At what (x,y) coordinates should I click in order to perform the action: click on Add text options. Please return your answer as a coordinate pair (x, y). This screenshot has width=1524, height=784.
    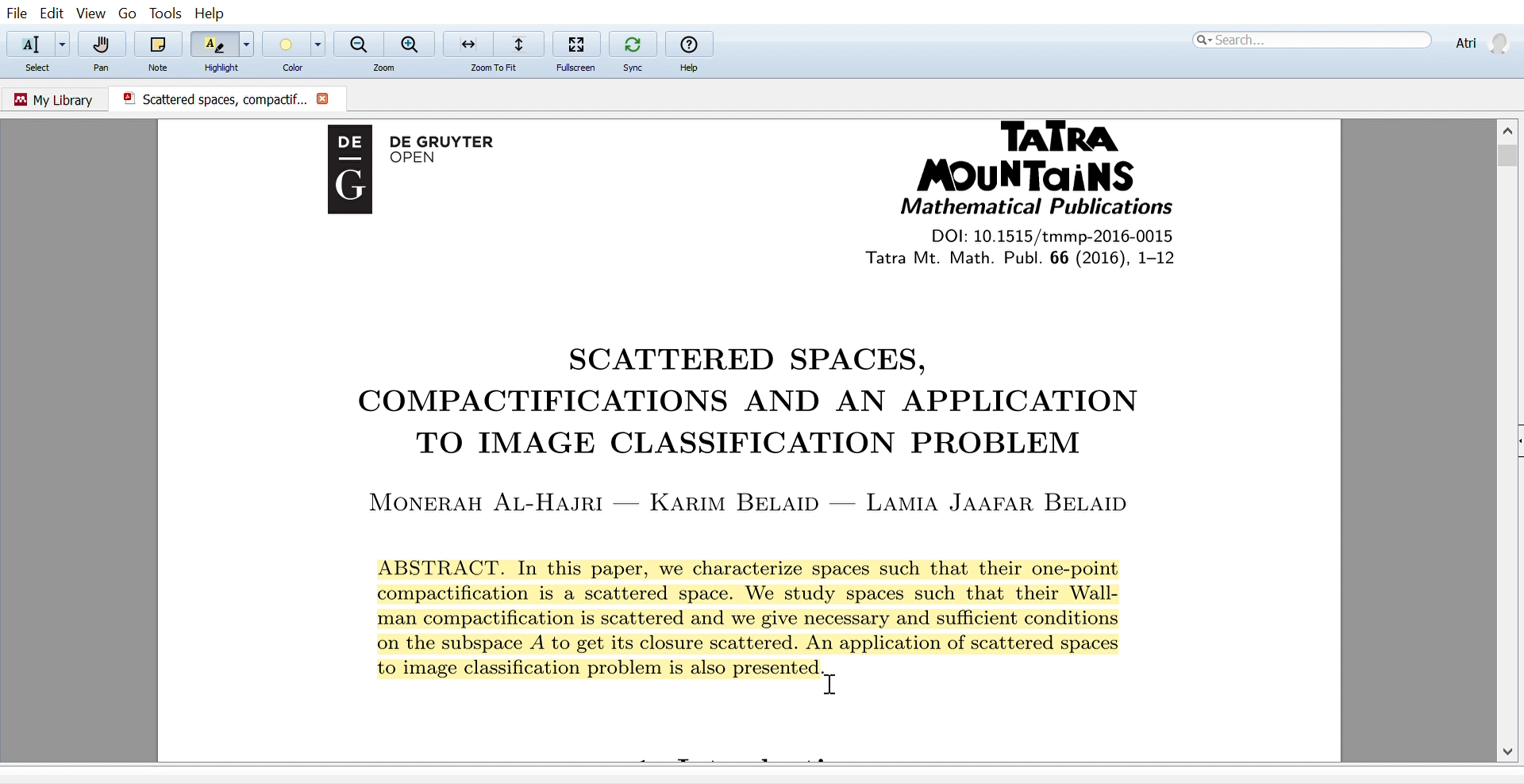
    Looking at the image, I should click on (63, 44).